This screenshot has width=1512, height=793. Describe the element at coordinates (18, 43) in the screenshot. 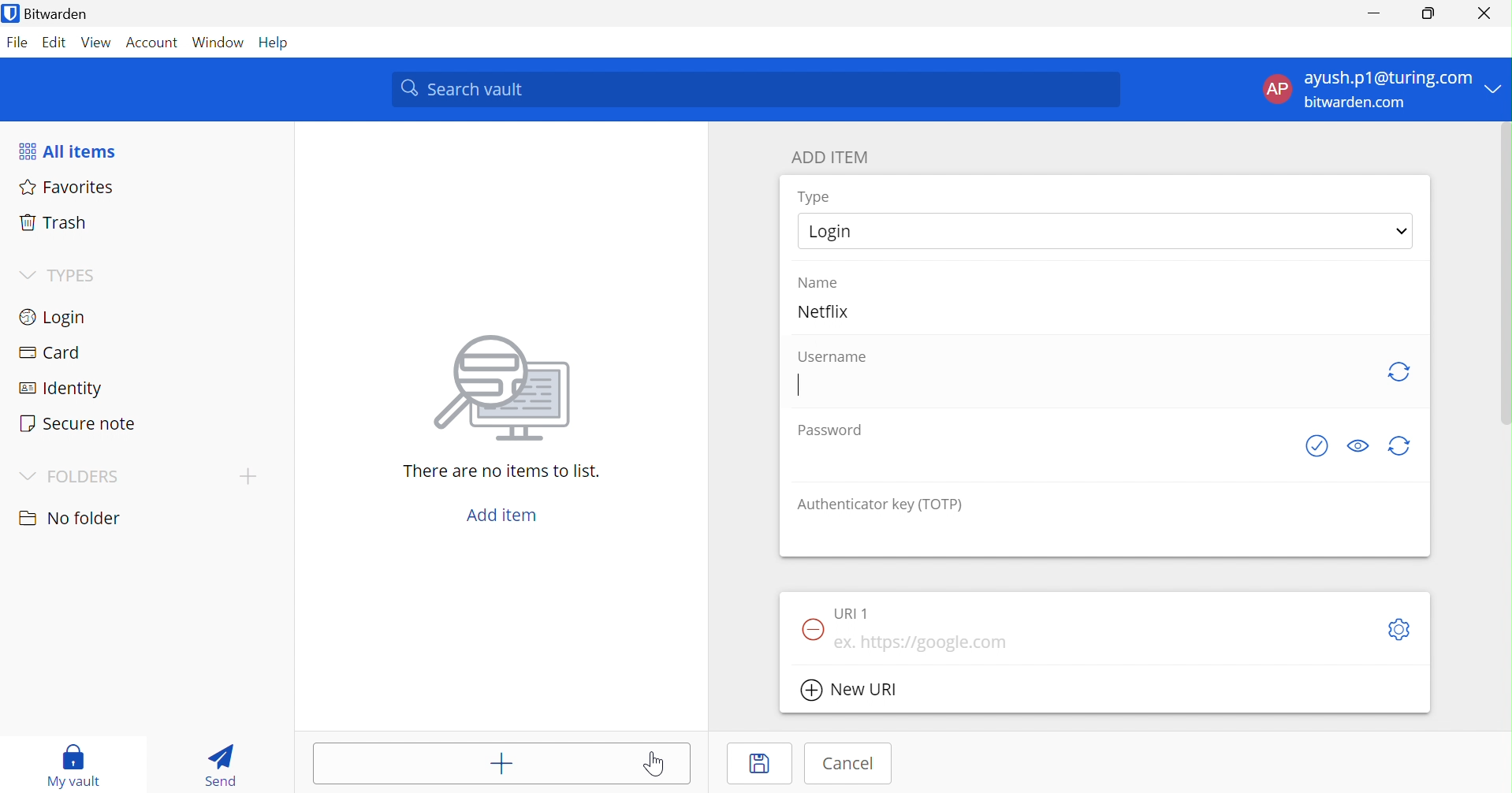

I see `File` at that location.